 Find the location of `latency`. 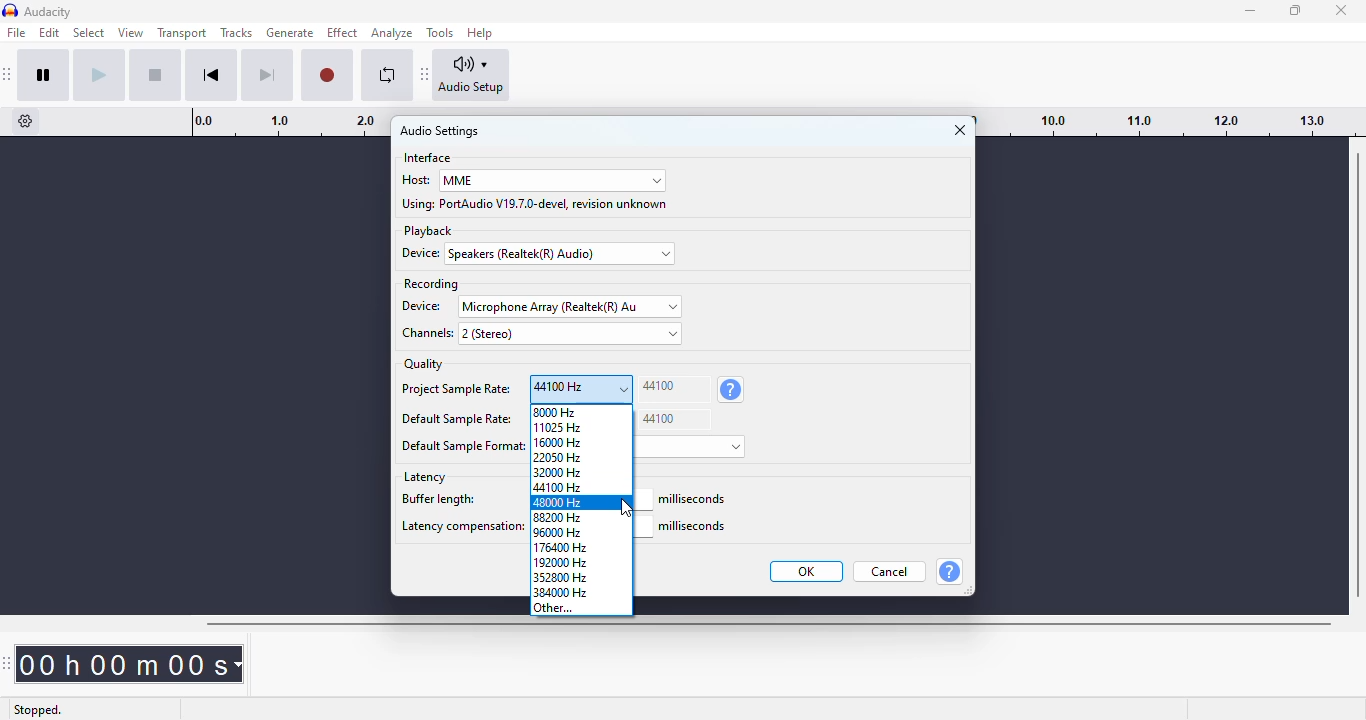

latency is located at coordinates (425, 477).